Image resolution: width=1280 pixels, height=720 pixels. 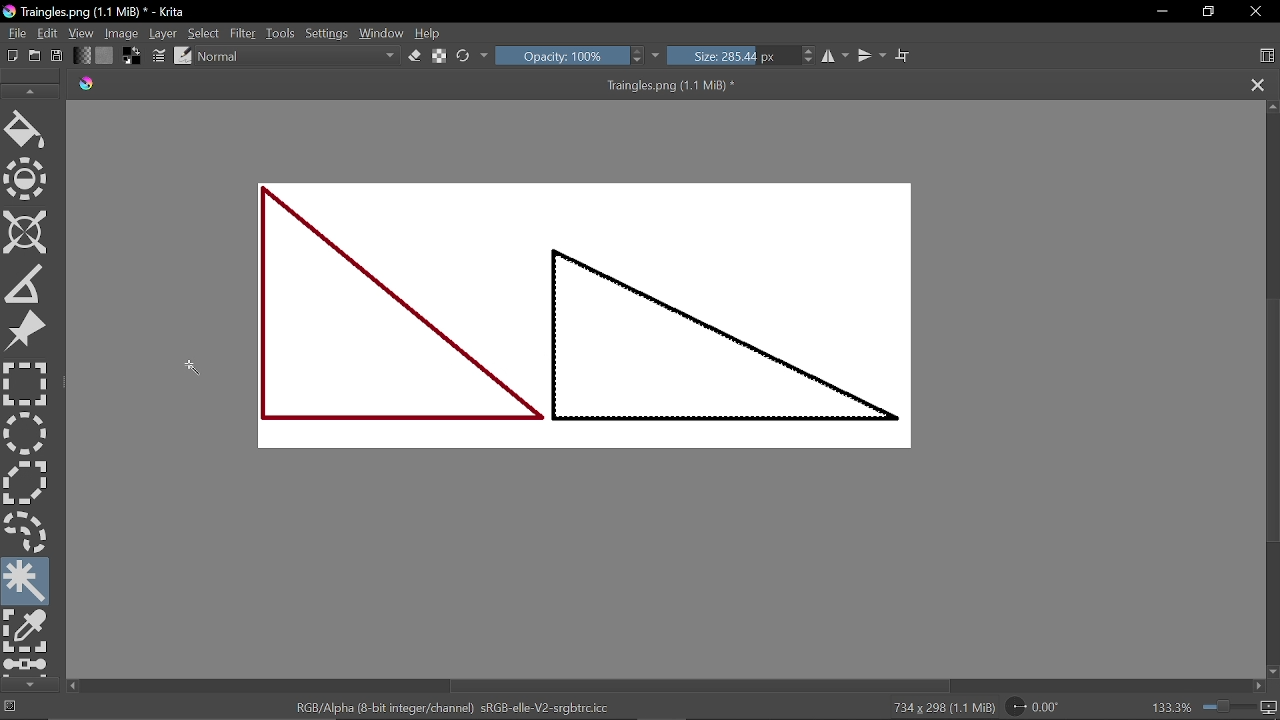 What do you see at coordinates (102, 12) in the screenshot?
I see `Current window` at bounding box center [102, 12].